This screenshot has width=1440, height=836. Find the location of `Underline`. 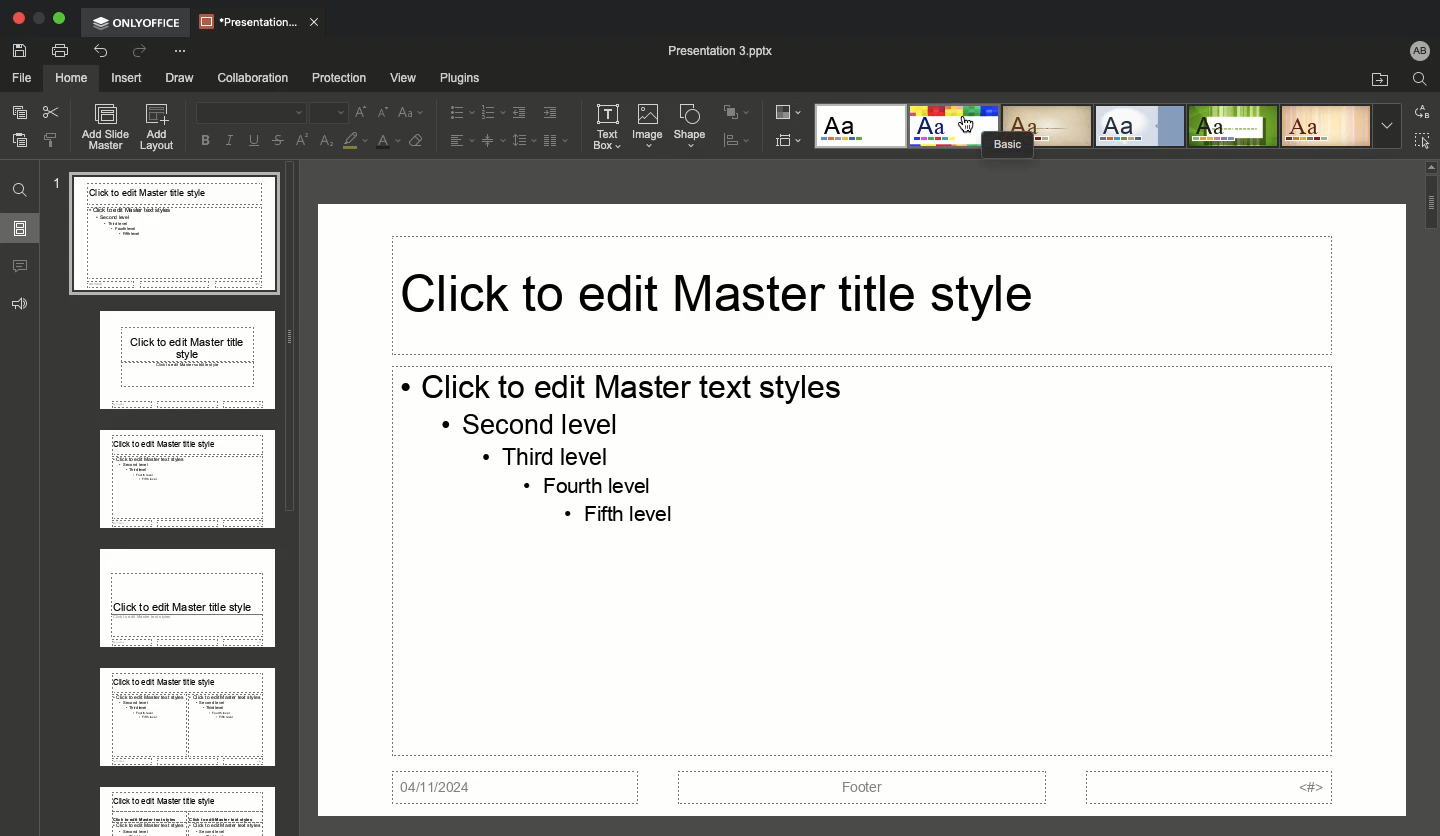

Underline is located at coordinates (254, 140).